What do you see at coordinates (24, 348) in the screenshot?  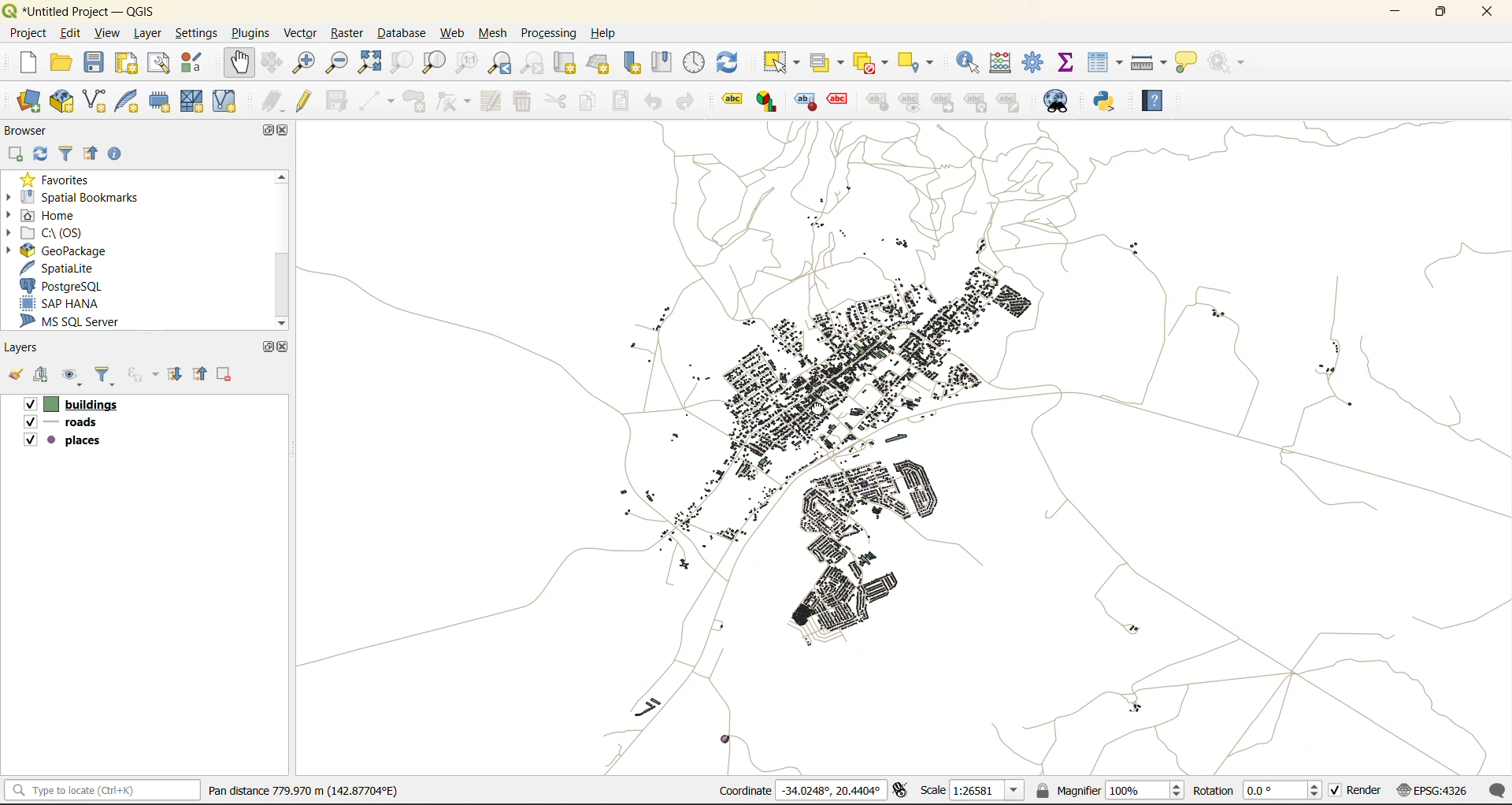 I see `layers` at bounding box center [24, 348].